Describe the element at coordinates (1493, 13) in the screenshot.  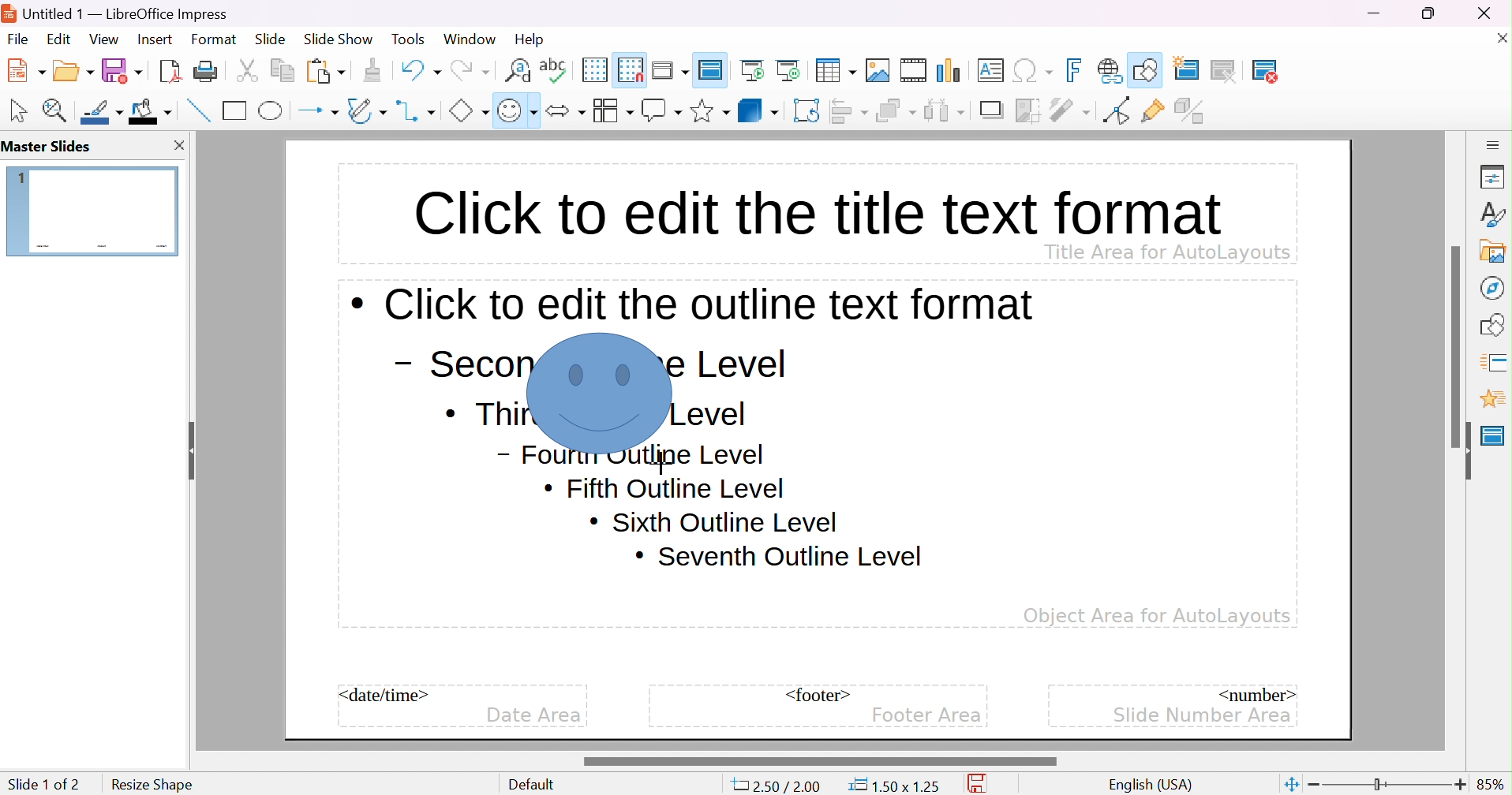
I see `close` at that location.